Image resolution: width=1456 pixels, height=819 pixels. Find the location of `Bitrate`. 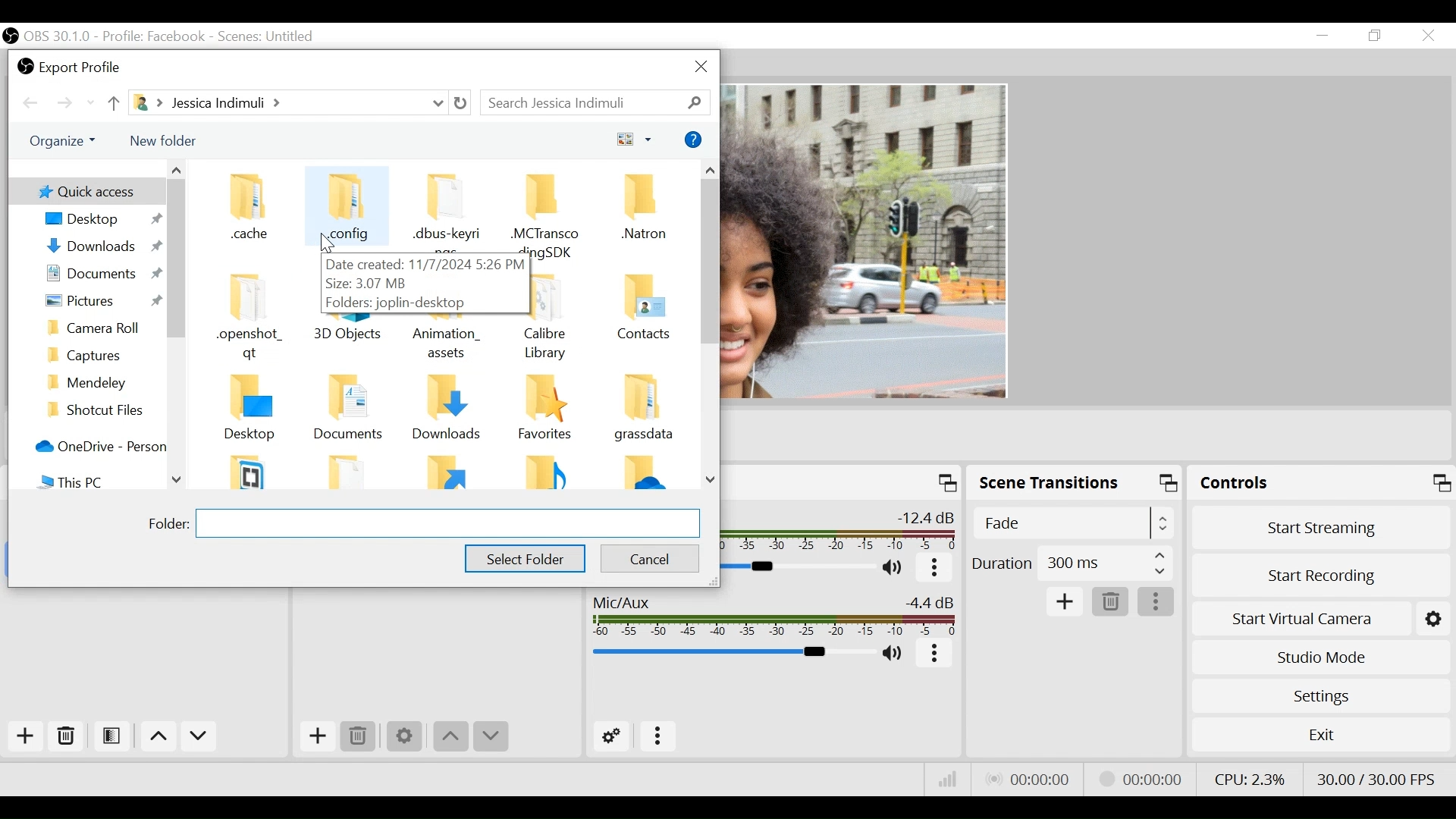

Bitrate is located at coordinates (948, 779).